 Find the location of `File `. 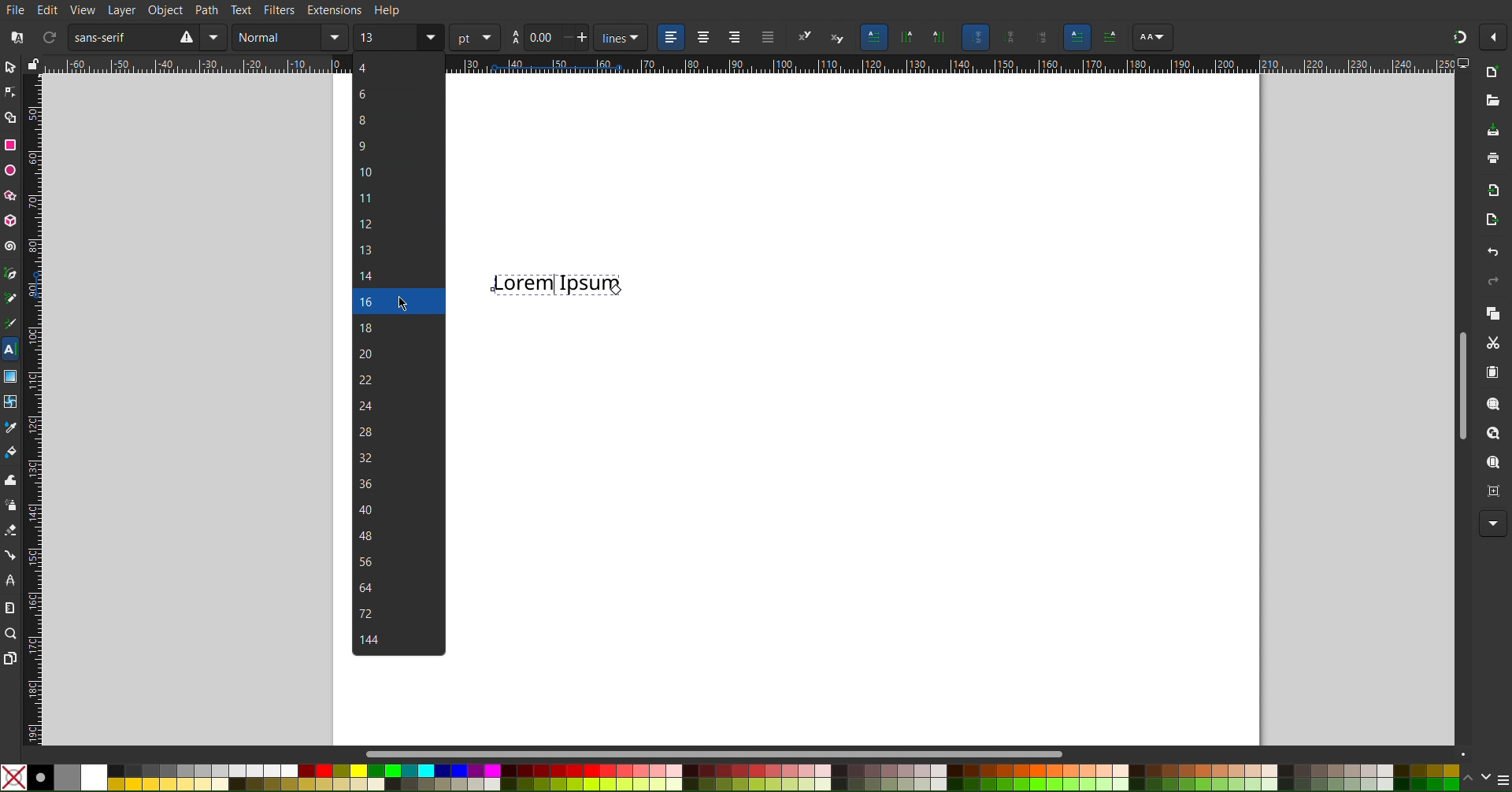

File  is located at coordinates (17, 10).